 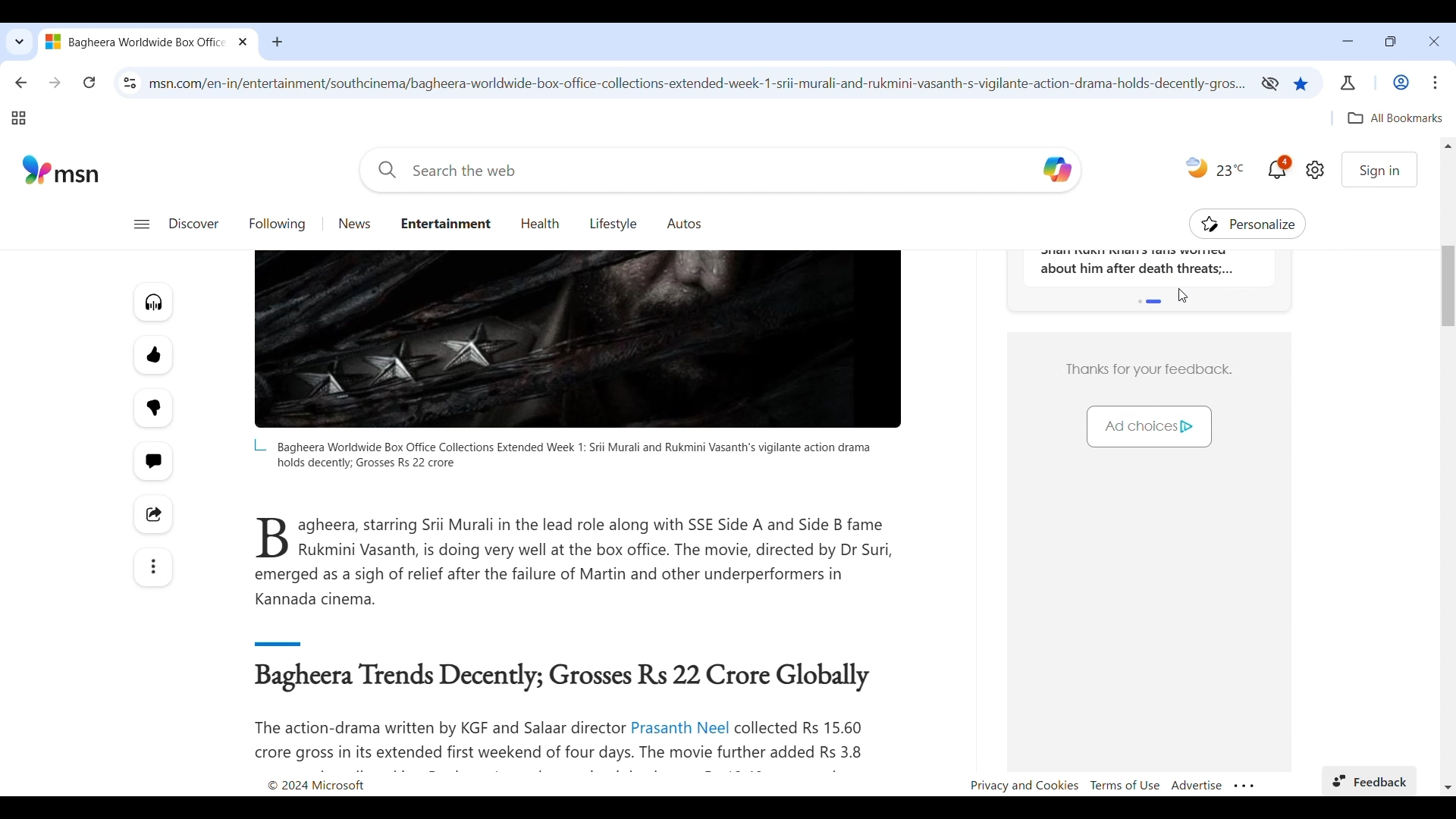 I want to click on Close interface , so click(x=1434, y=41).